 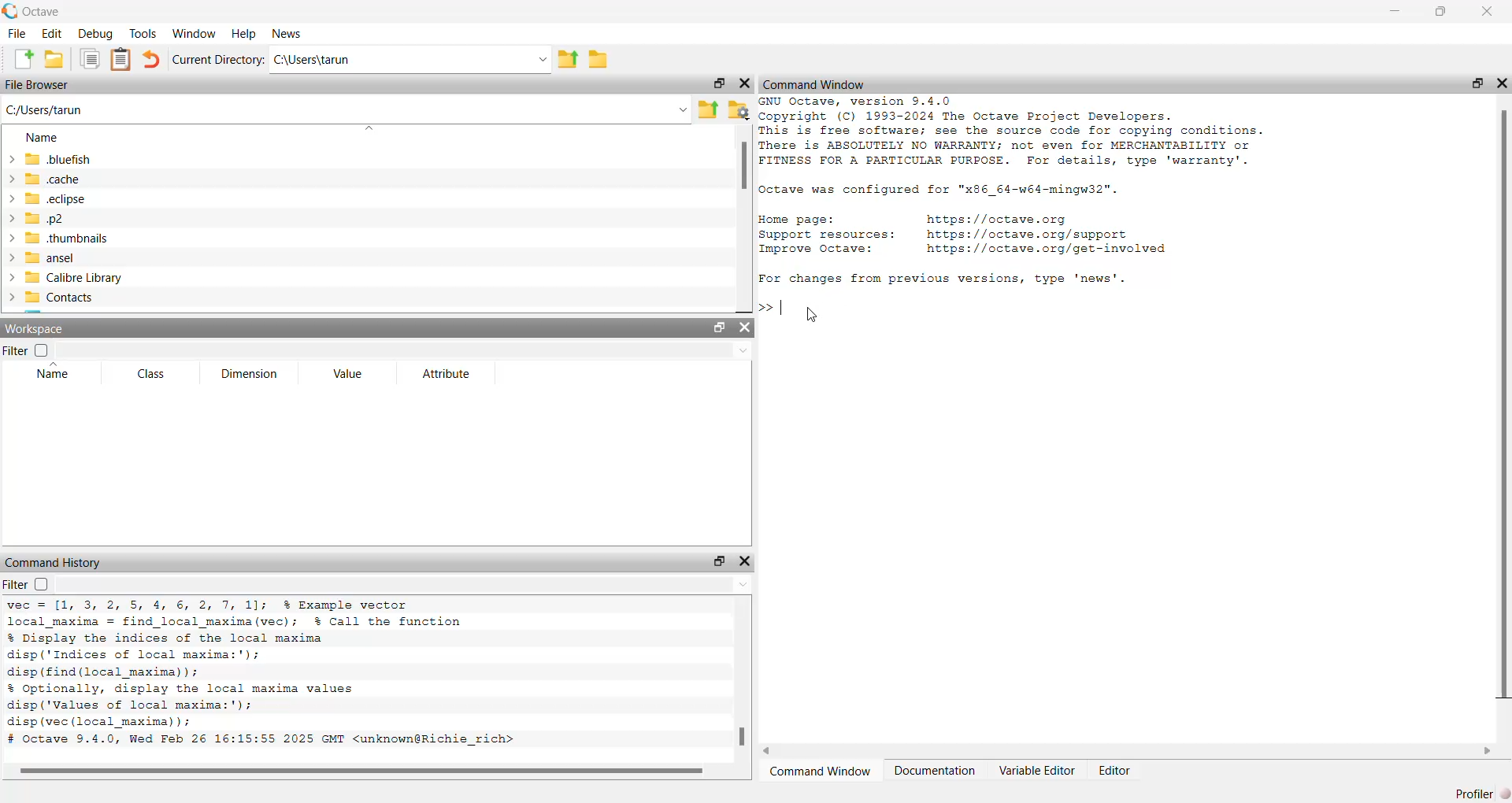 I want to click on Command History, so click(x=56, y=562).